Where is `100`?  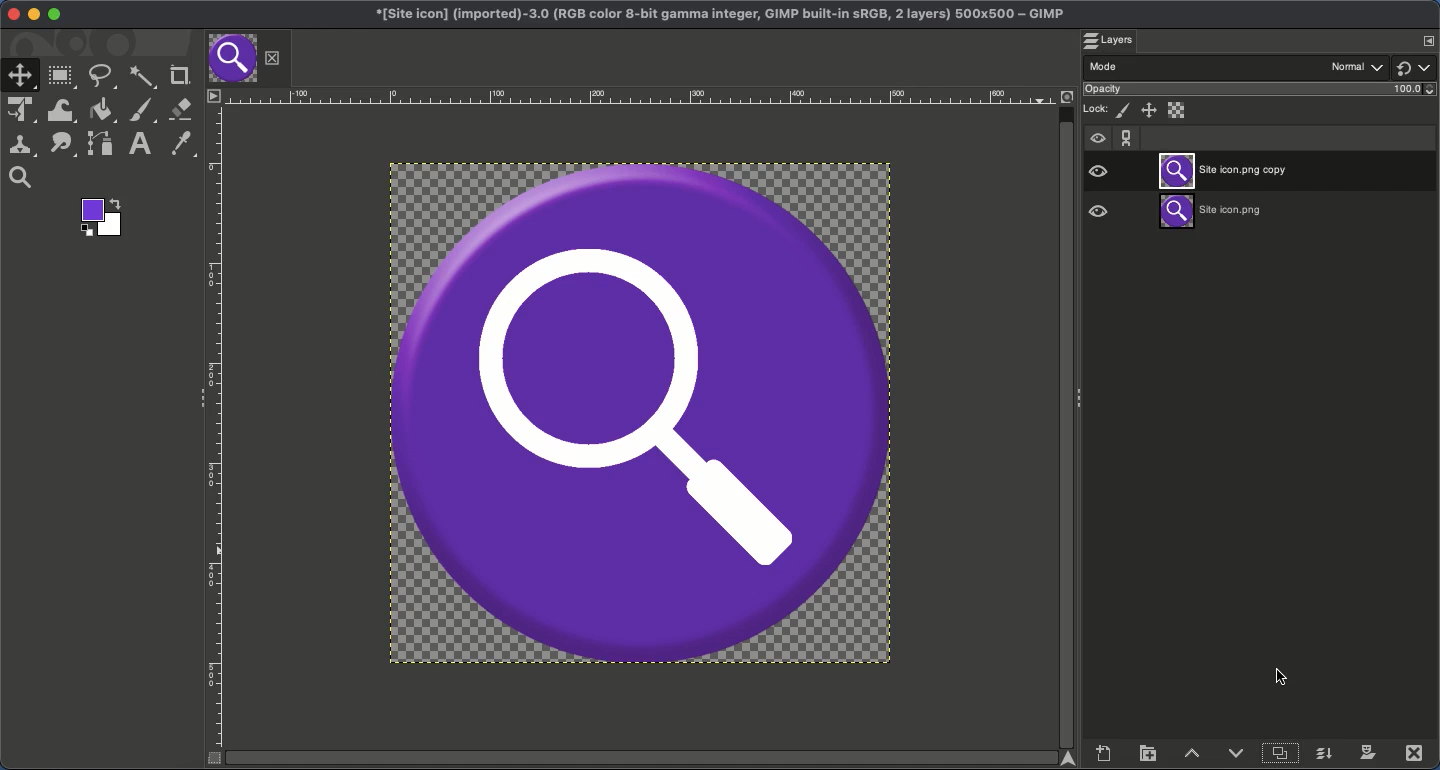
100 is located at coordinates (1413, 91).